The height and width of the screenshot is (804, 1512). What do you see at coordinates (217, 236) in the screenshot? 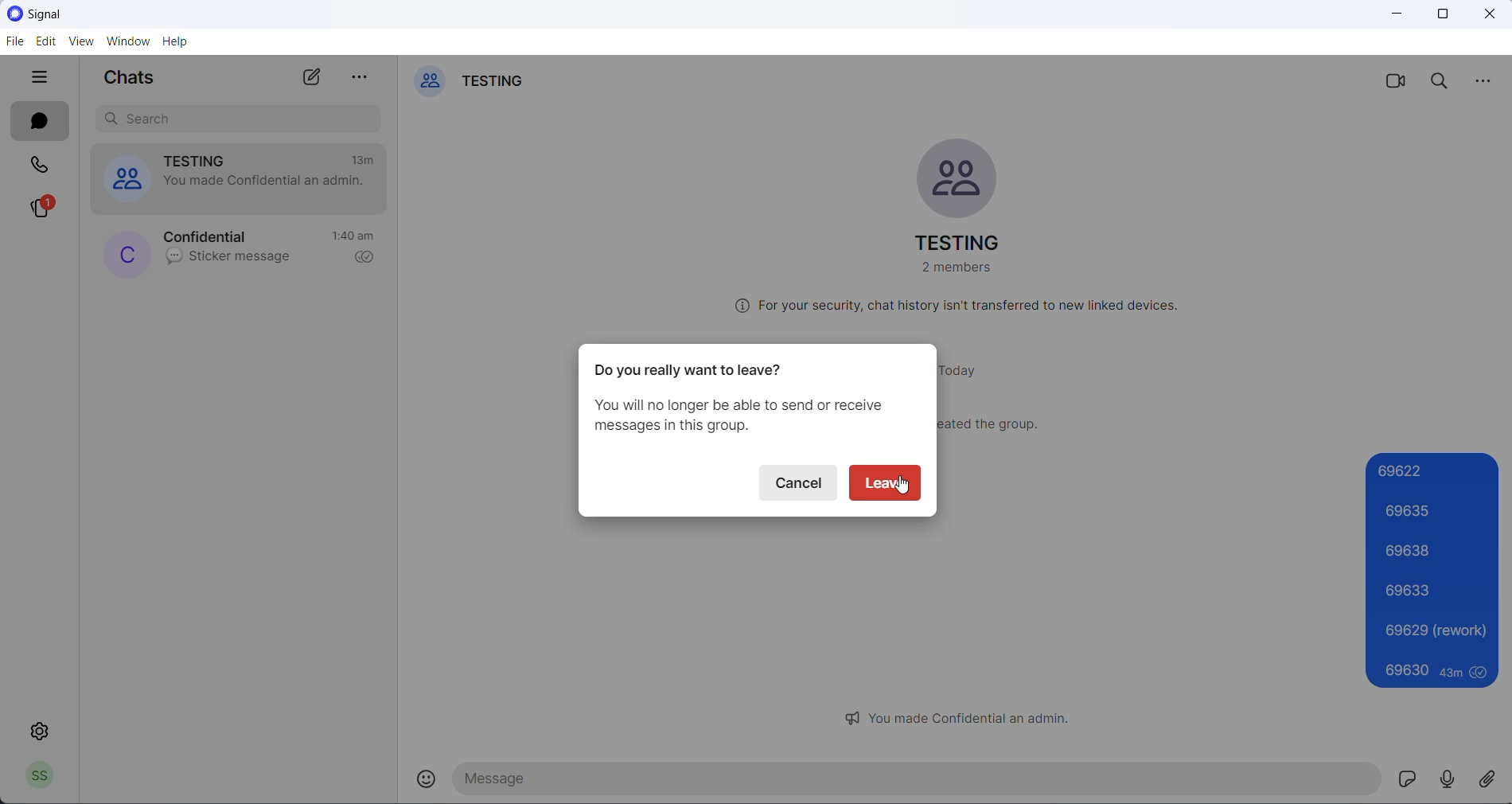
I see `contact name` at bounding box center [217, 236].